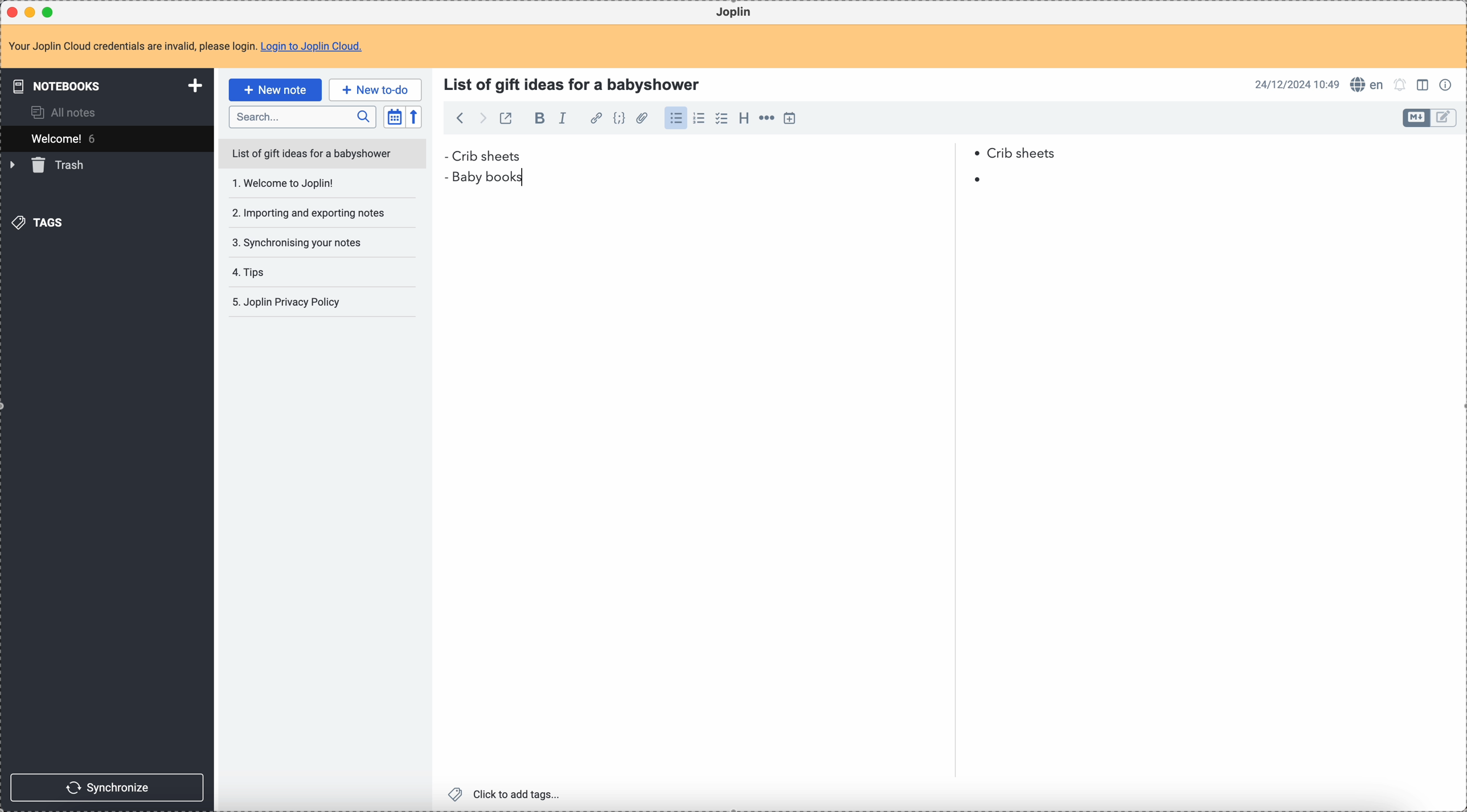 Image resolution: width=1467 pixels, height=812 pixels. I want to click on synchronize, so click(109, 786).